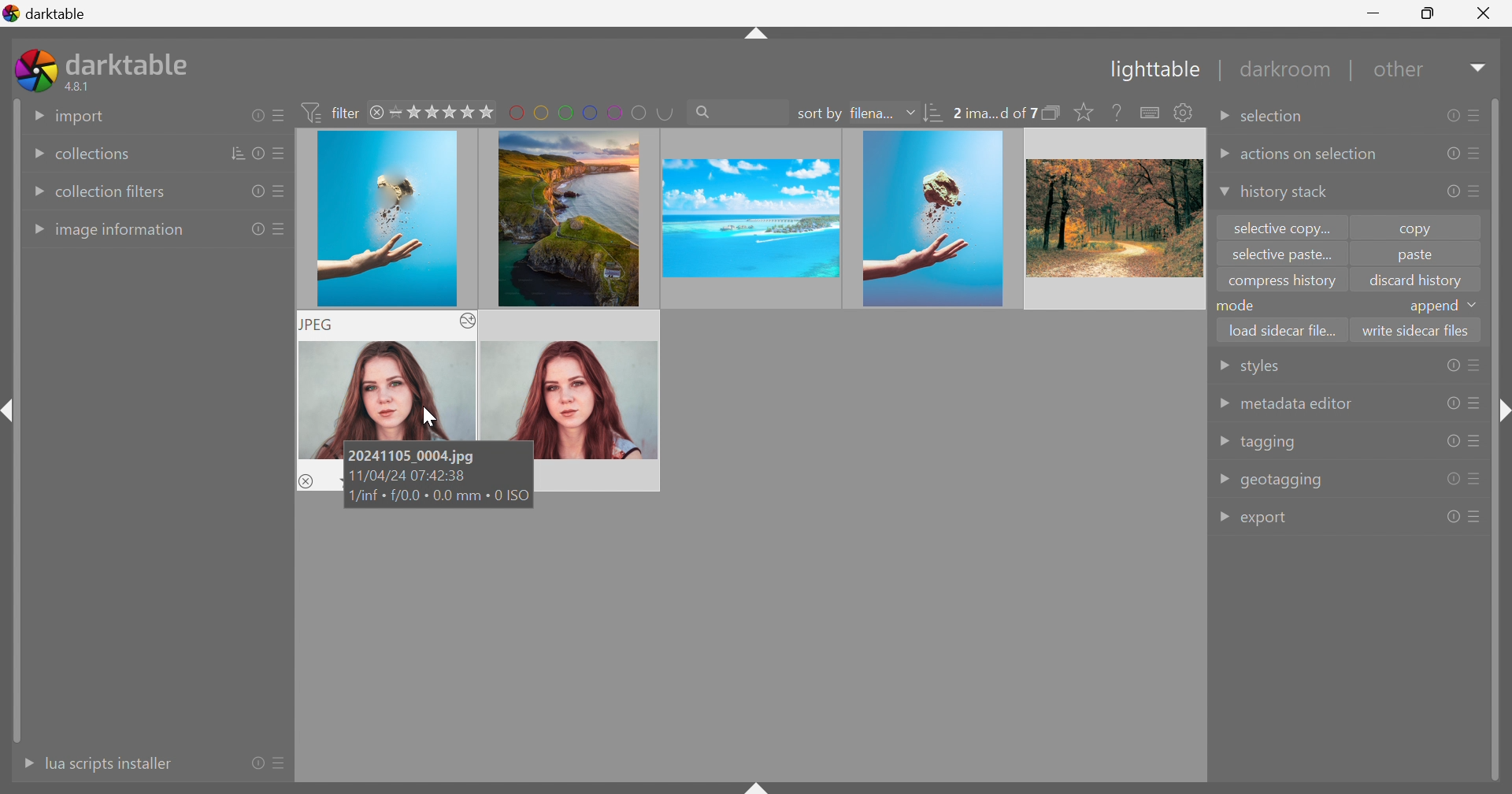 The width and height of the screenshot is (1512, 794). I want to click on darktable icon, so click(35, 70).